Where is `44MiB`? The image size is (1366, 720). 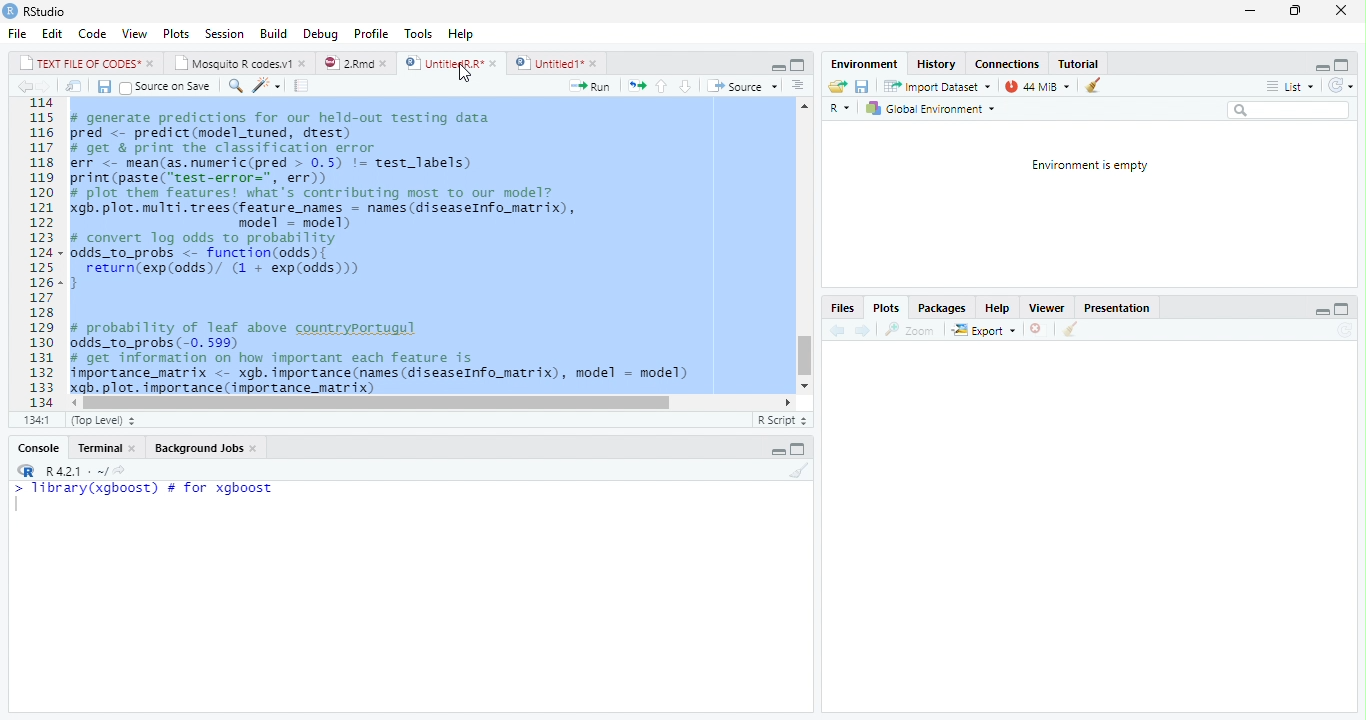
44MiB is located at coordinates (1037, 84).